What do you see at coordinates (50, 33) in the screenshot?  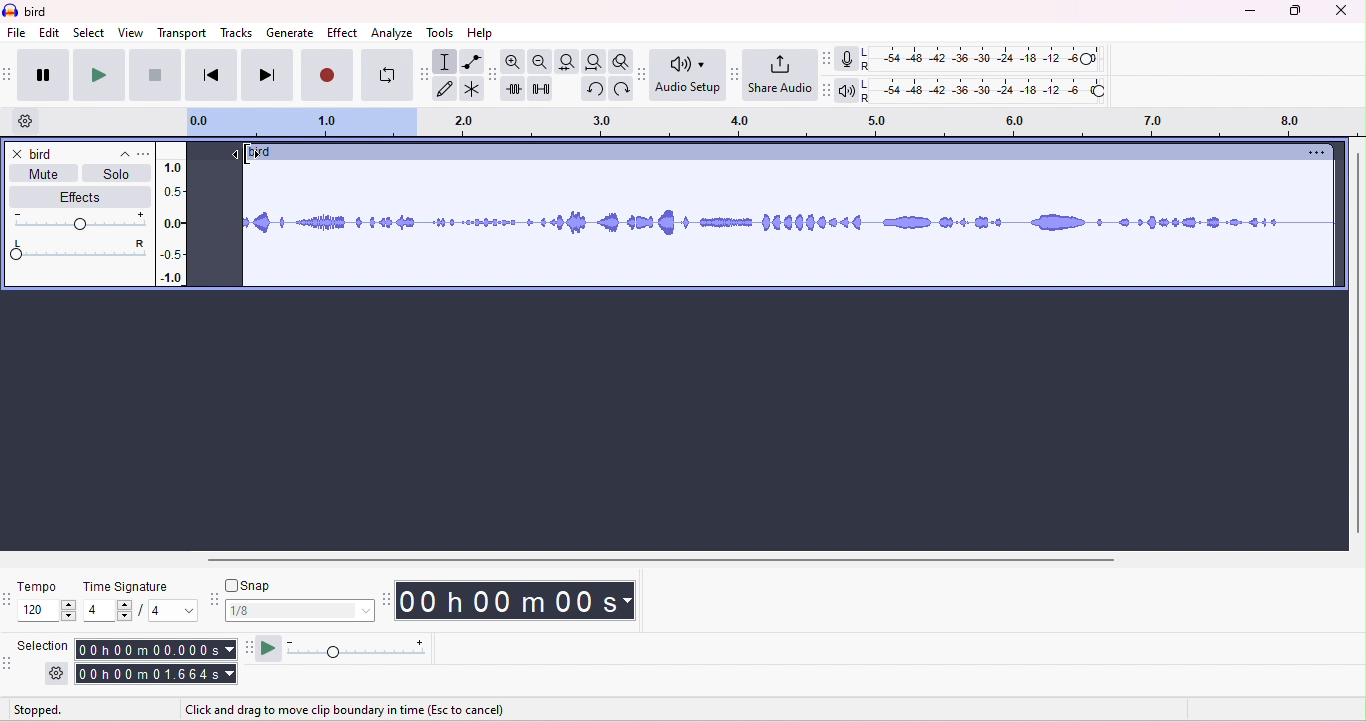 I see `edit` at bounding box center [50, 33].